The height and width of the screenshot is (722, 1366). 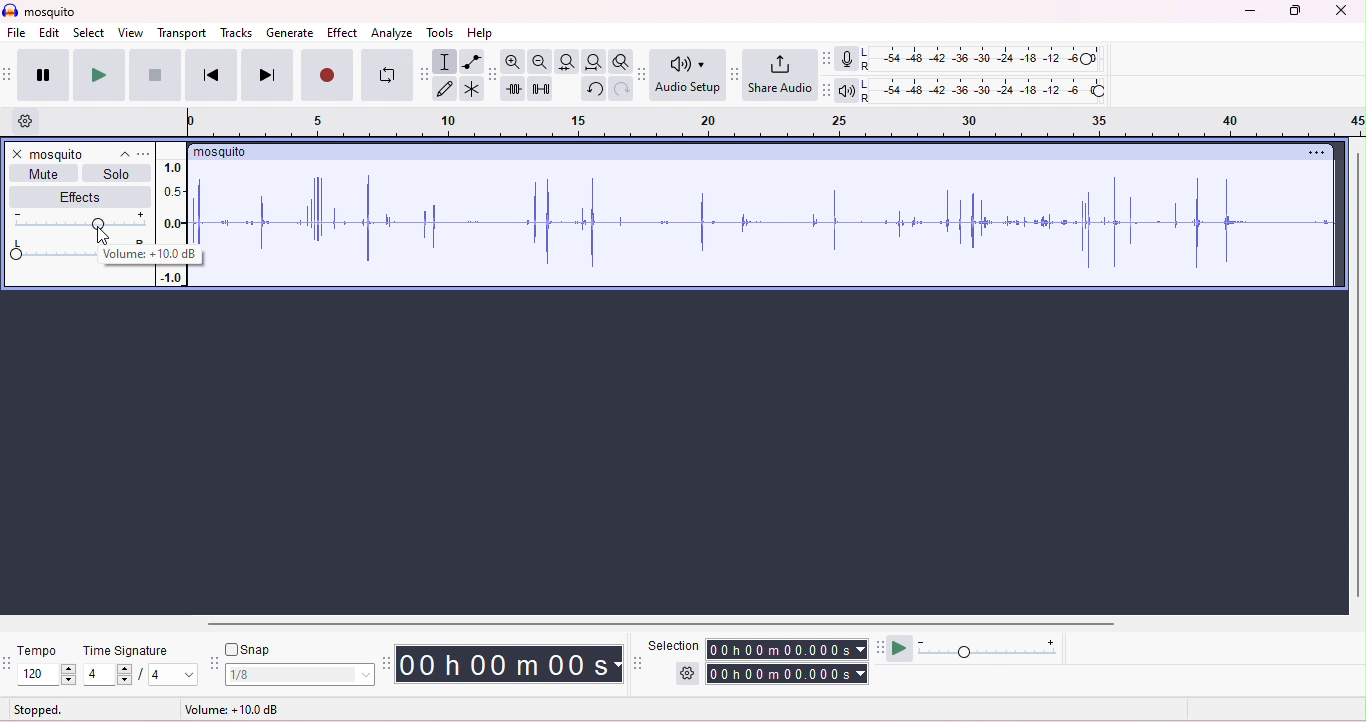 What do you see at coordinates (88, 34) in the screenshot?
I see `select` at bounding box center [88, 34].